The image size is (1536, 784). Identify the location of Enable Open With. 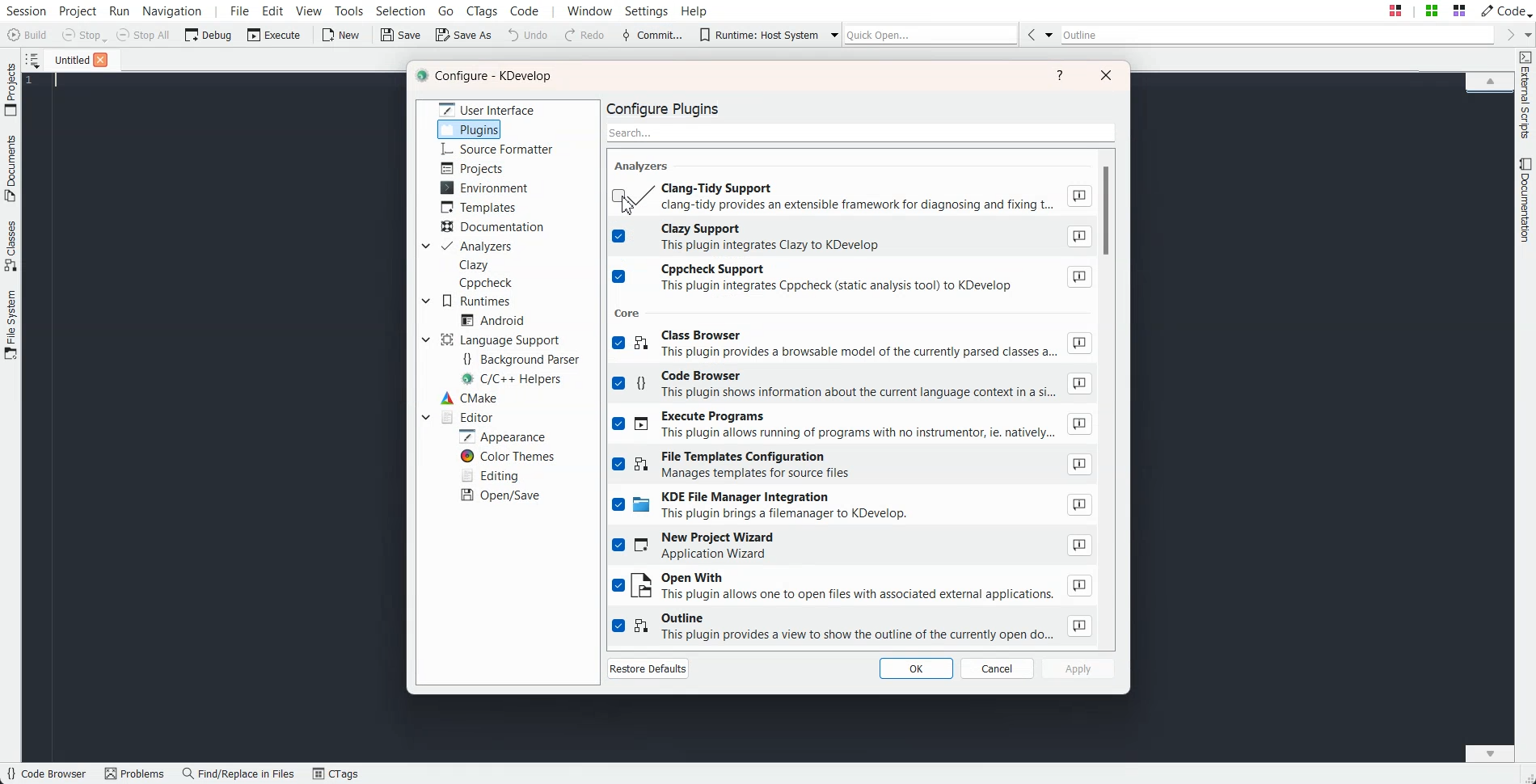
(852, 587).